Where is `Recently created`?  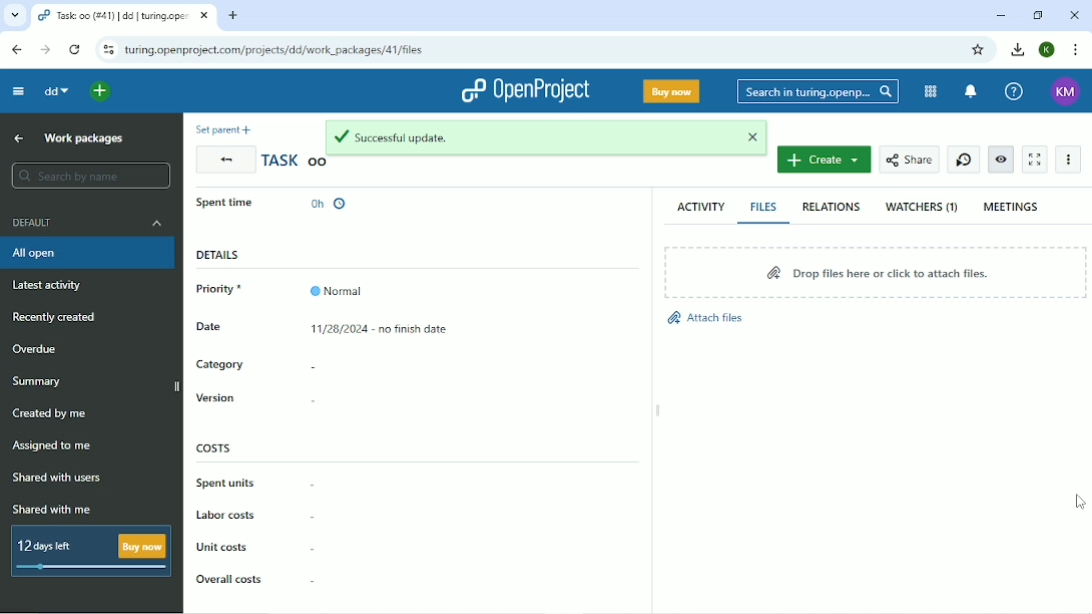 Recently created is located at coordinates (59, 318).